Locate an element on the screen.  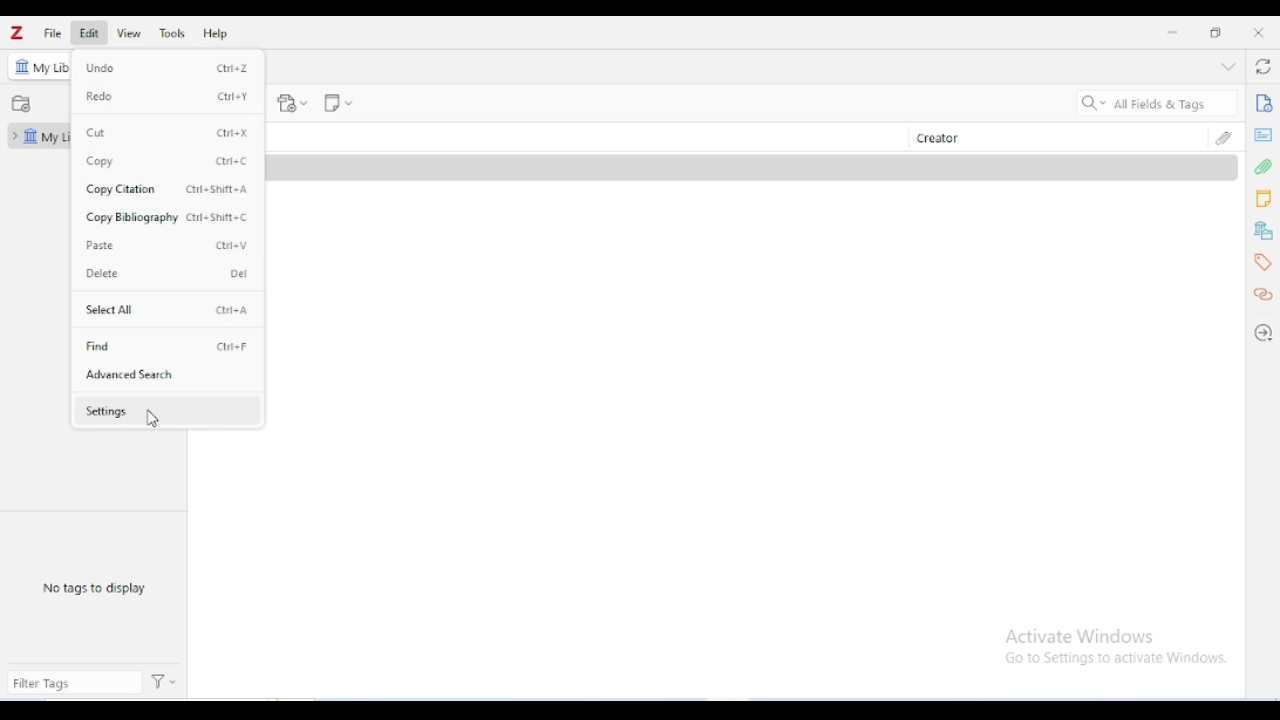
help is located at coordinates (215, 33).